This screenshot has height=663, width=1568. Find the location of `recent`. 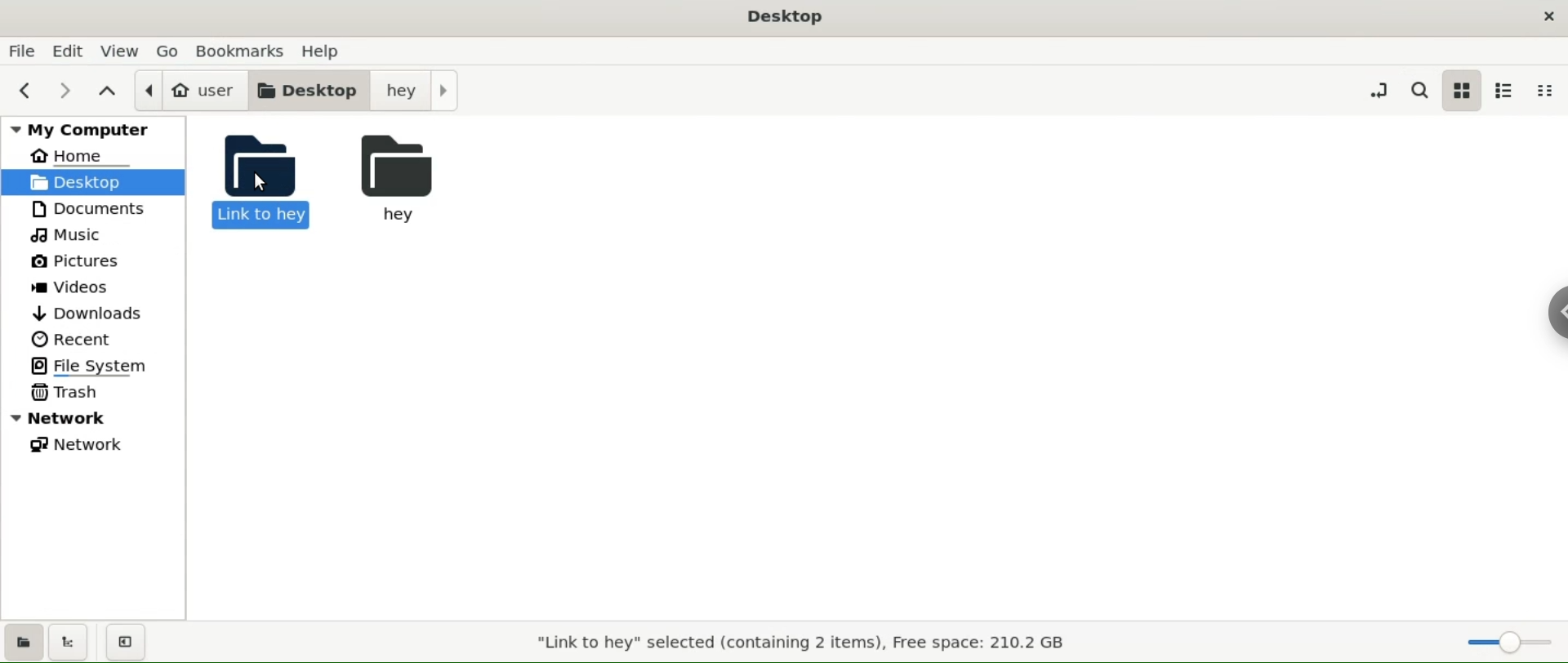

recent is located at coordinates (71, 340).